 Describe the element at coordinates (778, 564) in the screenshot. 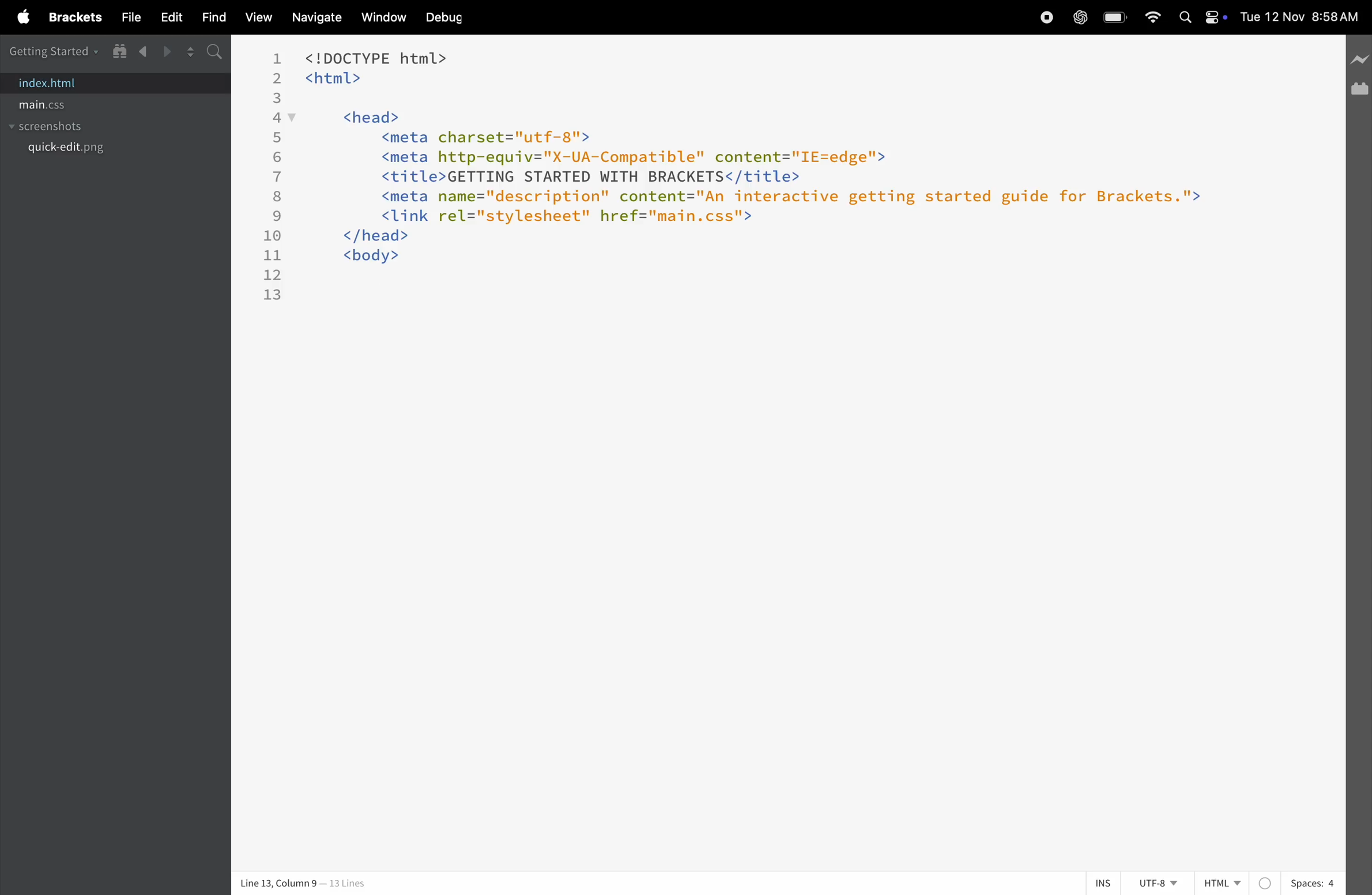

I see `Cursor` at that location.